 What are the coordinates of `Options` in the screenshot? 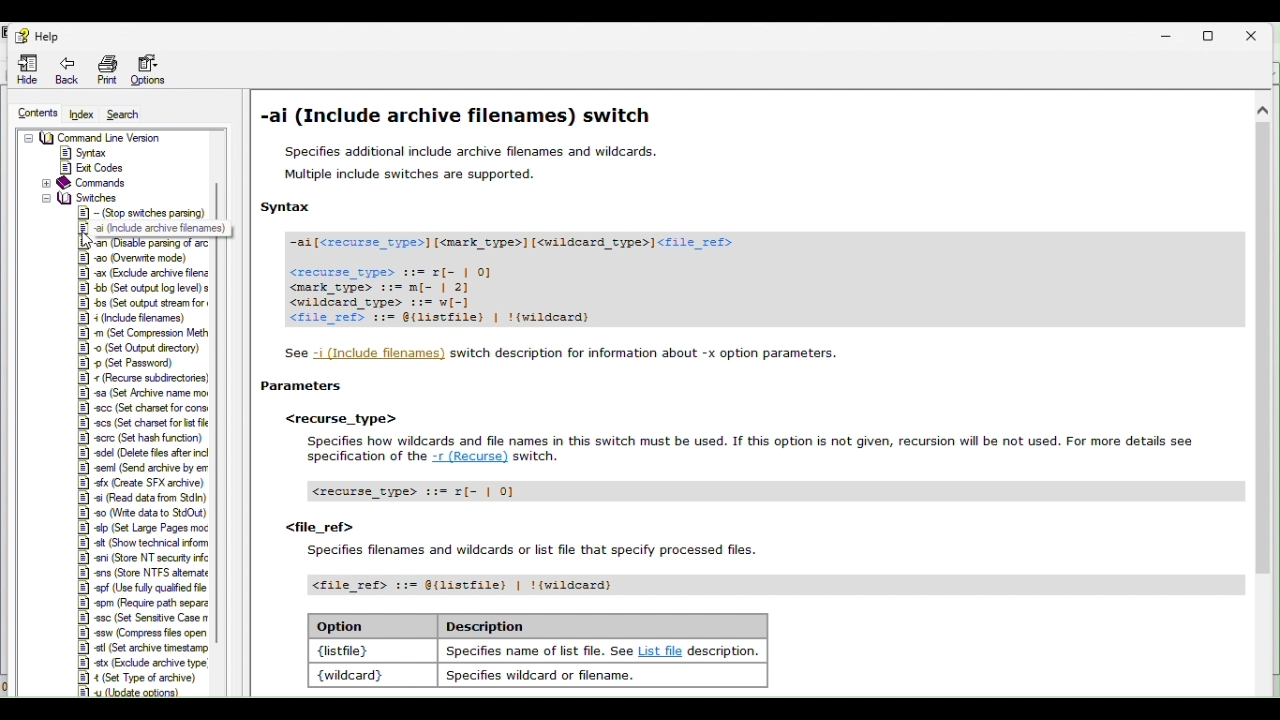 It's located at (150, 67).